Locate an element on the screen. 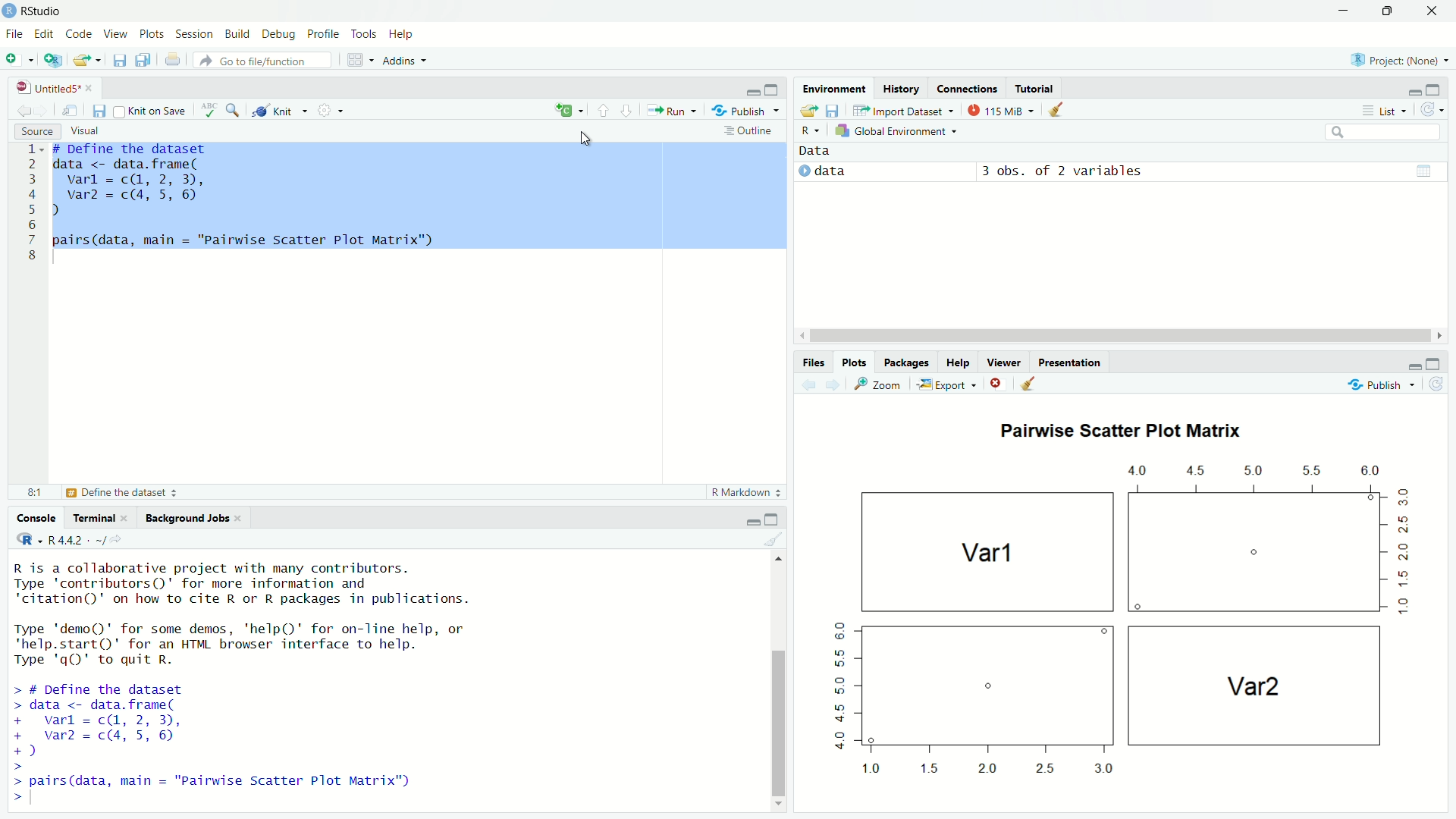  Open an existing file (Ctrl + O) is located at coordinates (88, 59).